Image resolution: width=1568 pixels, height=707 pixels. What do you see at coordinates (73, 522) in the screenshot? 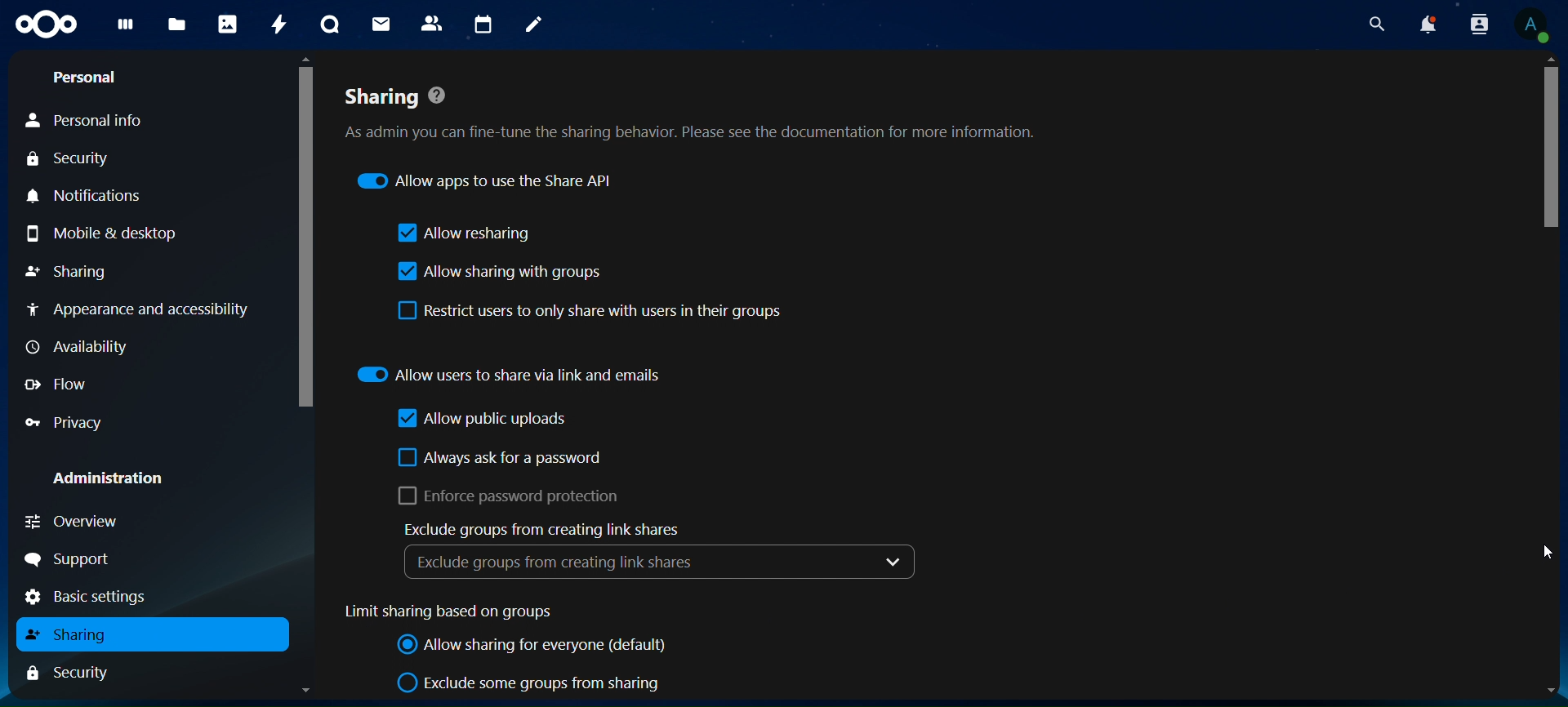
I see `overview` at bounding box center [73, 522].